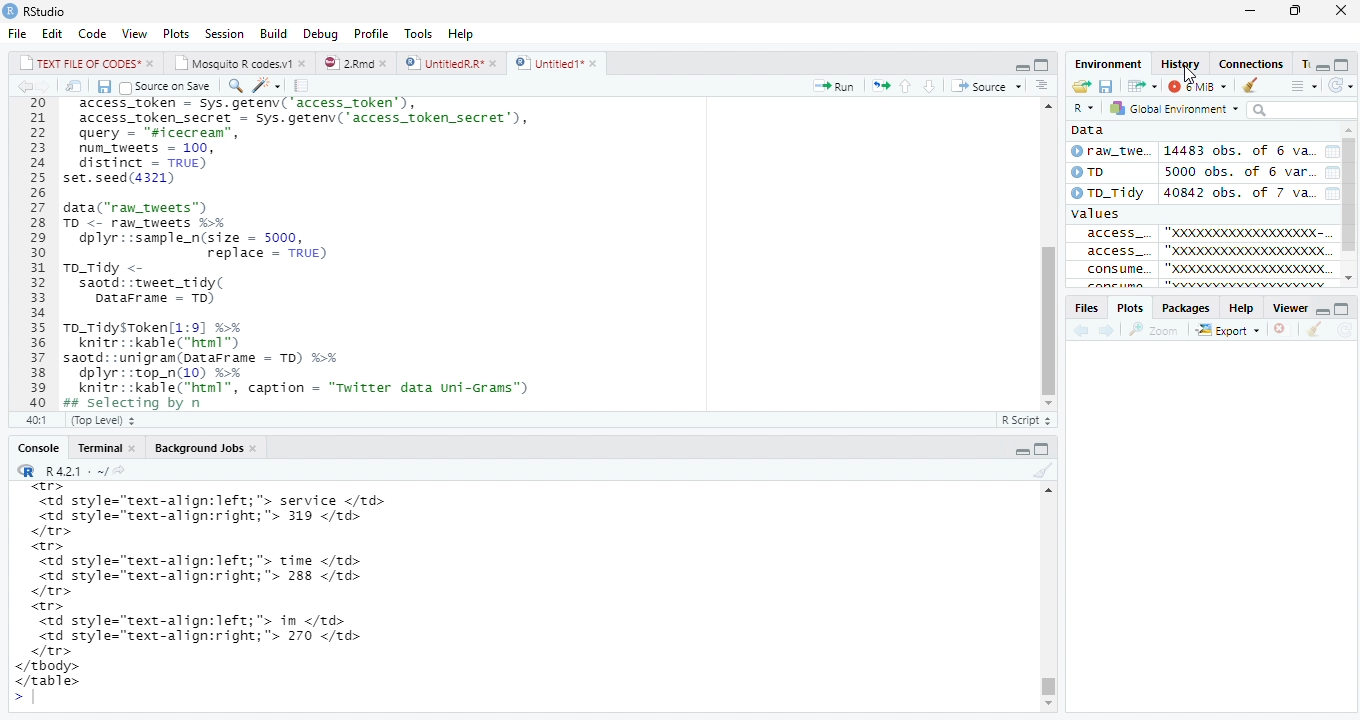  What do you see at coordinates (1024, 420) in the screenshot?
I see `R Script ` at bounding box center [1024, 420].